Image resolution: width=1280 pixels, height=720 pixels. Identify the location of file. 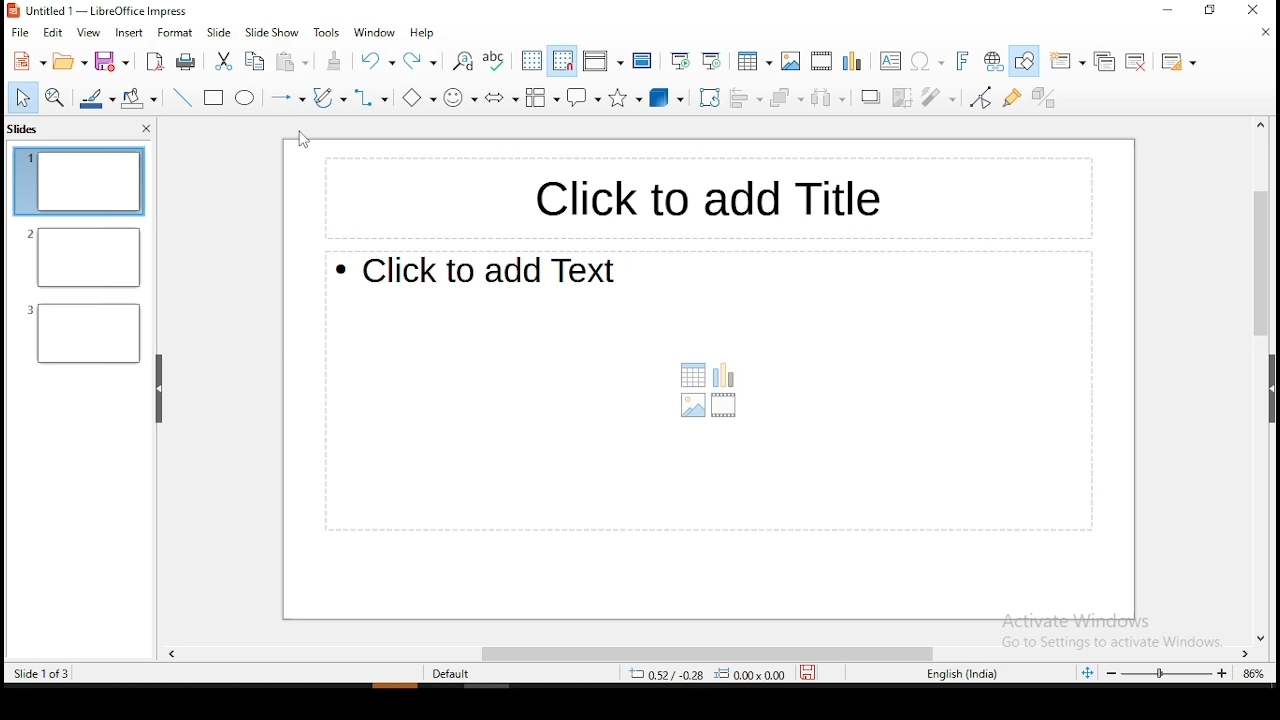
(22, 35).